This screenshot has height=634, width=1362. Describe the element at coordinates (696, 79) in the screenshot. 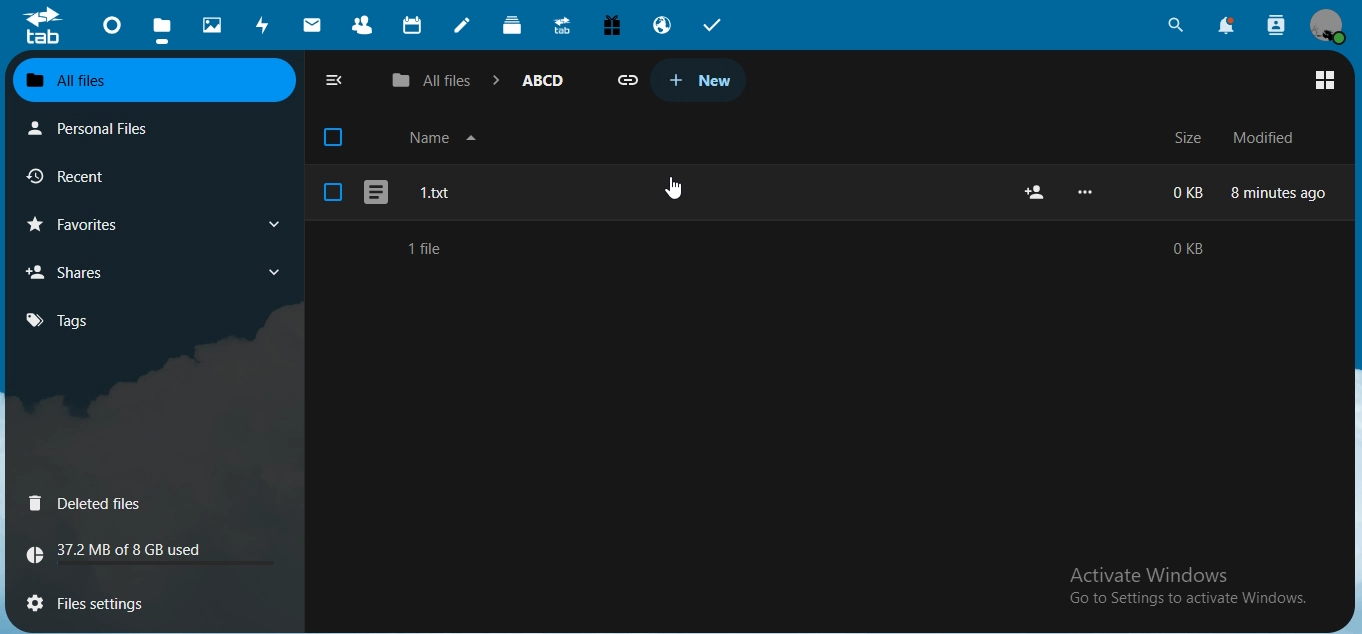

I see `new` at that location.